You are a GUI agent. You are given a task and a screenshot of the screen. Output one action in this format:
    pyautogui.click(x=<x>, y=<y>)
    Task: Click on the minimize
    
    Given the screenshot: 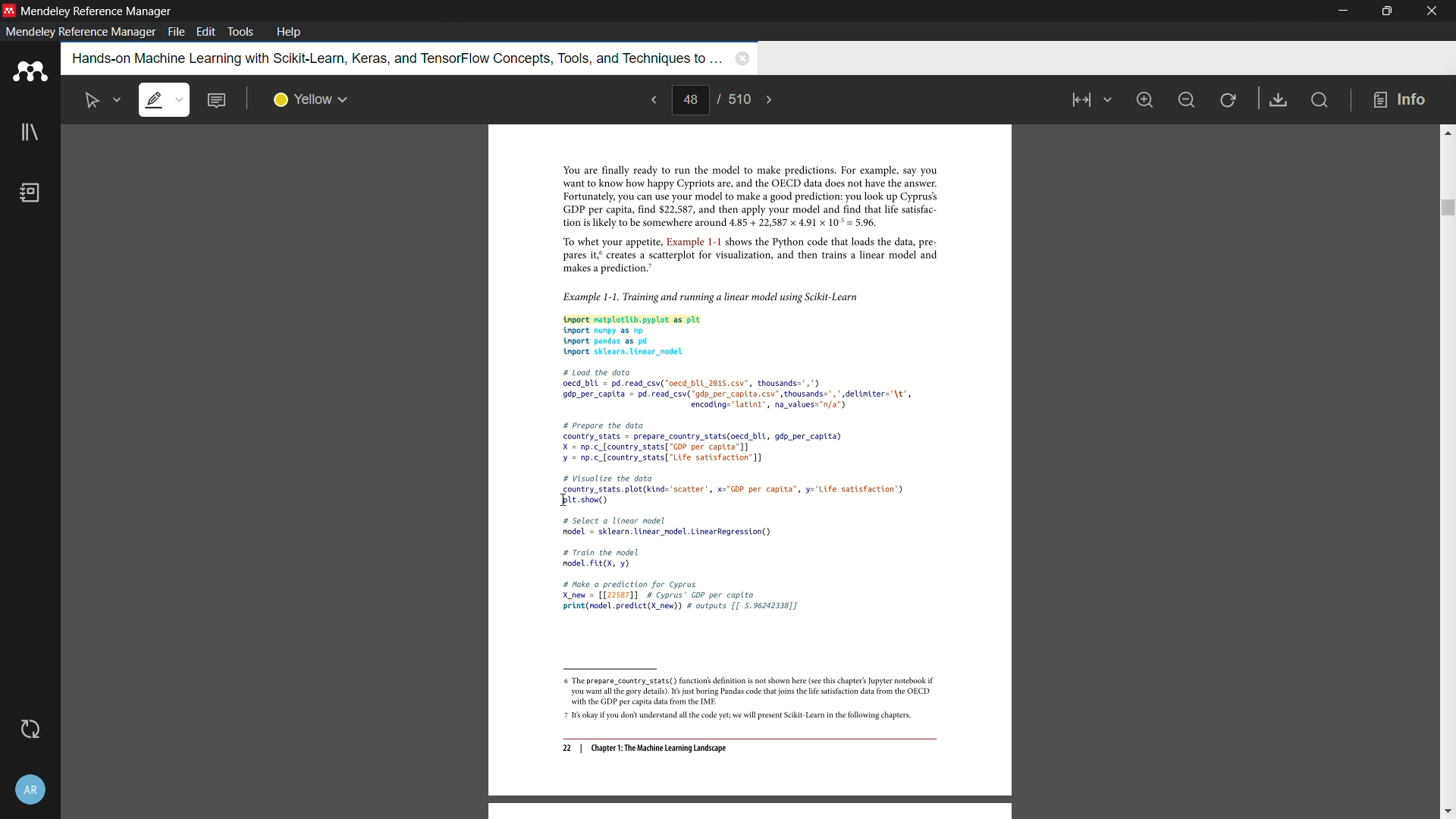 What is the action you would take?
    pyautogui.click(x=1345, y=11)
    